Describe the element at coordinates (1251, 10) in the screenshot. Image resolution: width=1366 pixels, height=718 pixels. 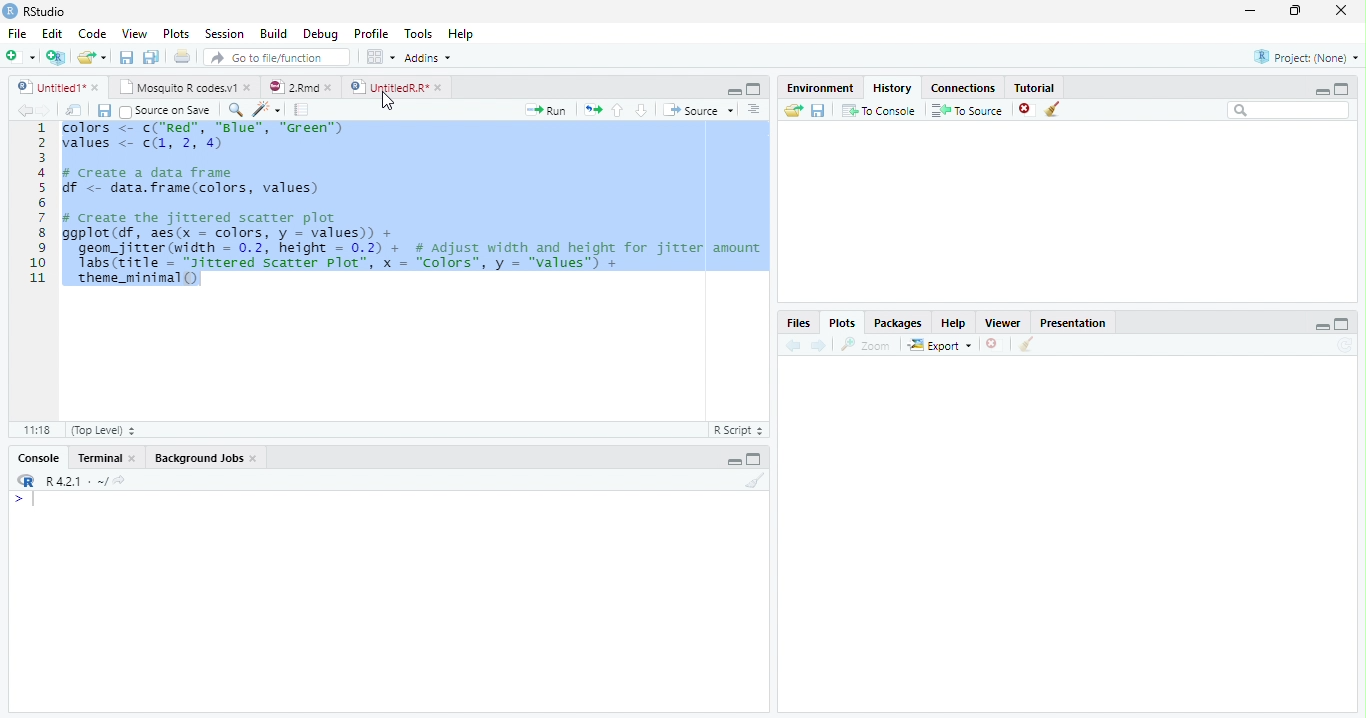
I see `minimize` at that location.